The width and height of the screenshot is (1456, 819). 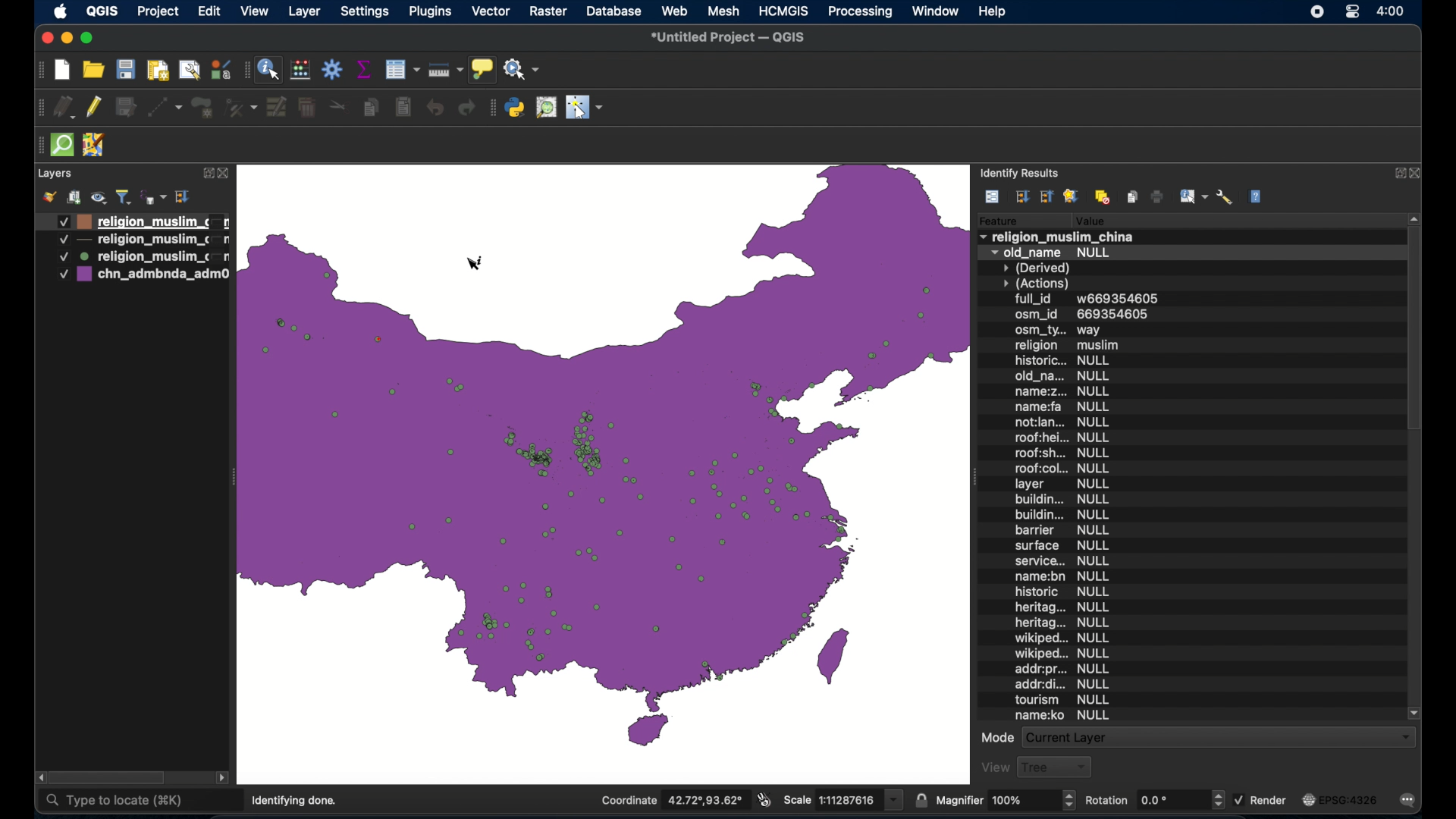 I want to click on project, so click(x=156, y=13).